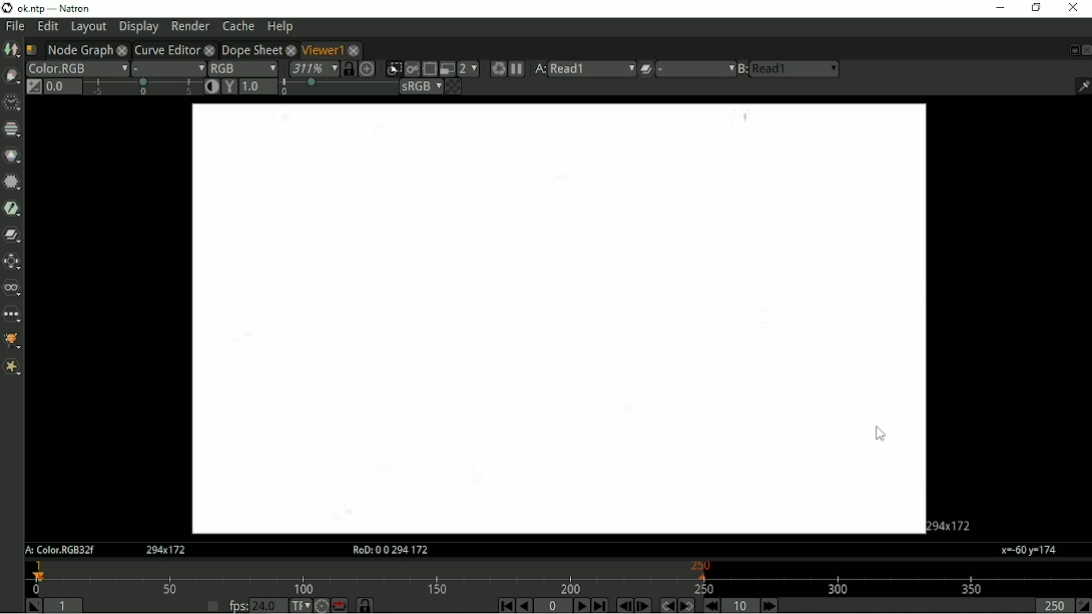  What do you see at coordinates (267, 605) in the screenshot?
I see `24` at bounding box center [267, 605].